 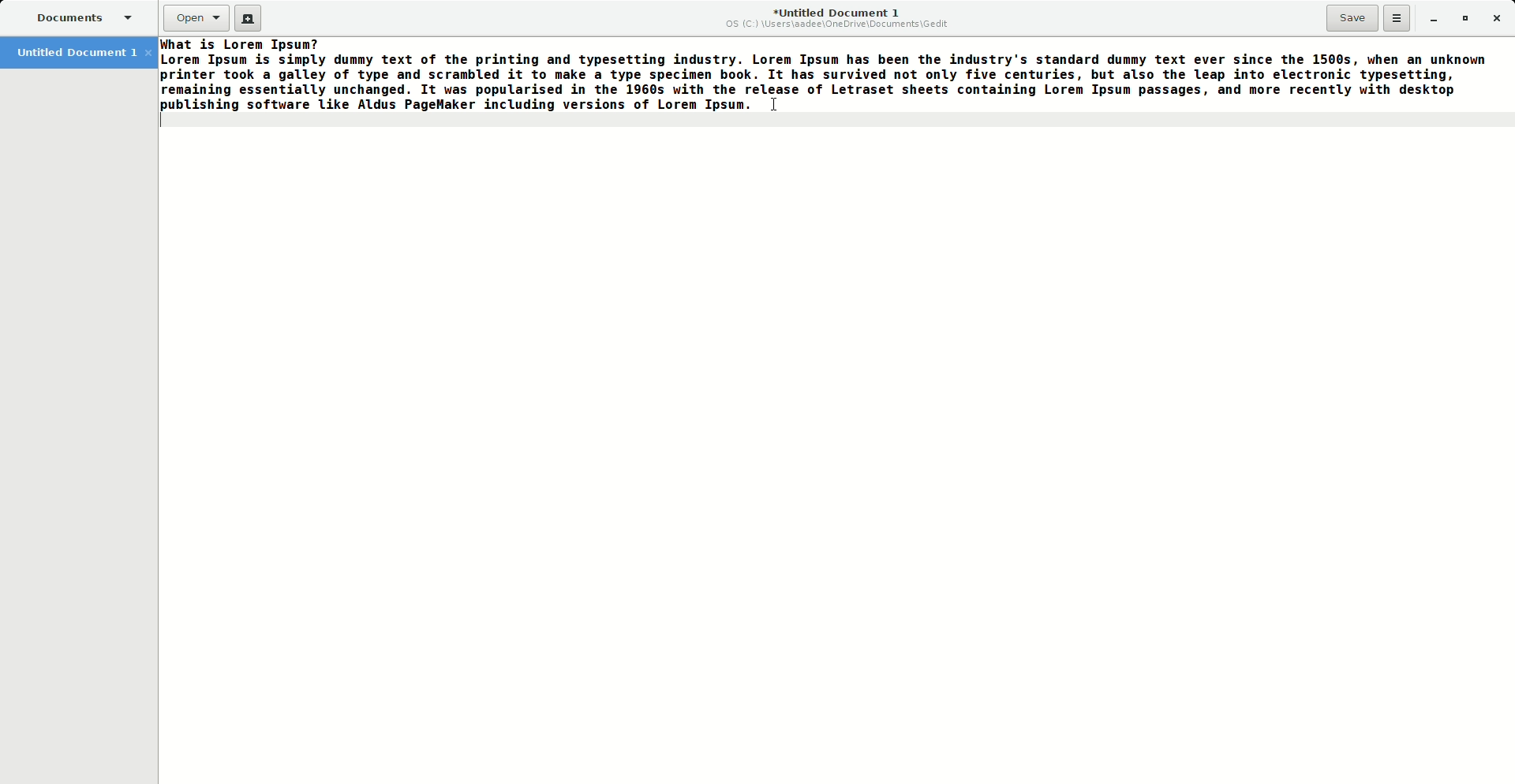 What do you see at coordinates (1397, 17) in the screenshot?
I see `Options` at bounding box center [1397, 17].